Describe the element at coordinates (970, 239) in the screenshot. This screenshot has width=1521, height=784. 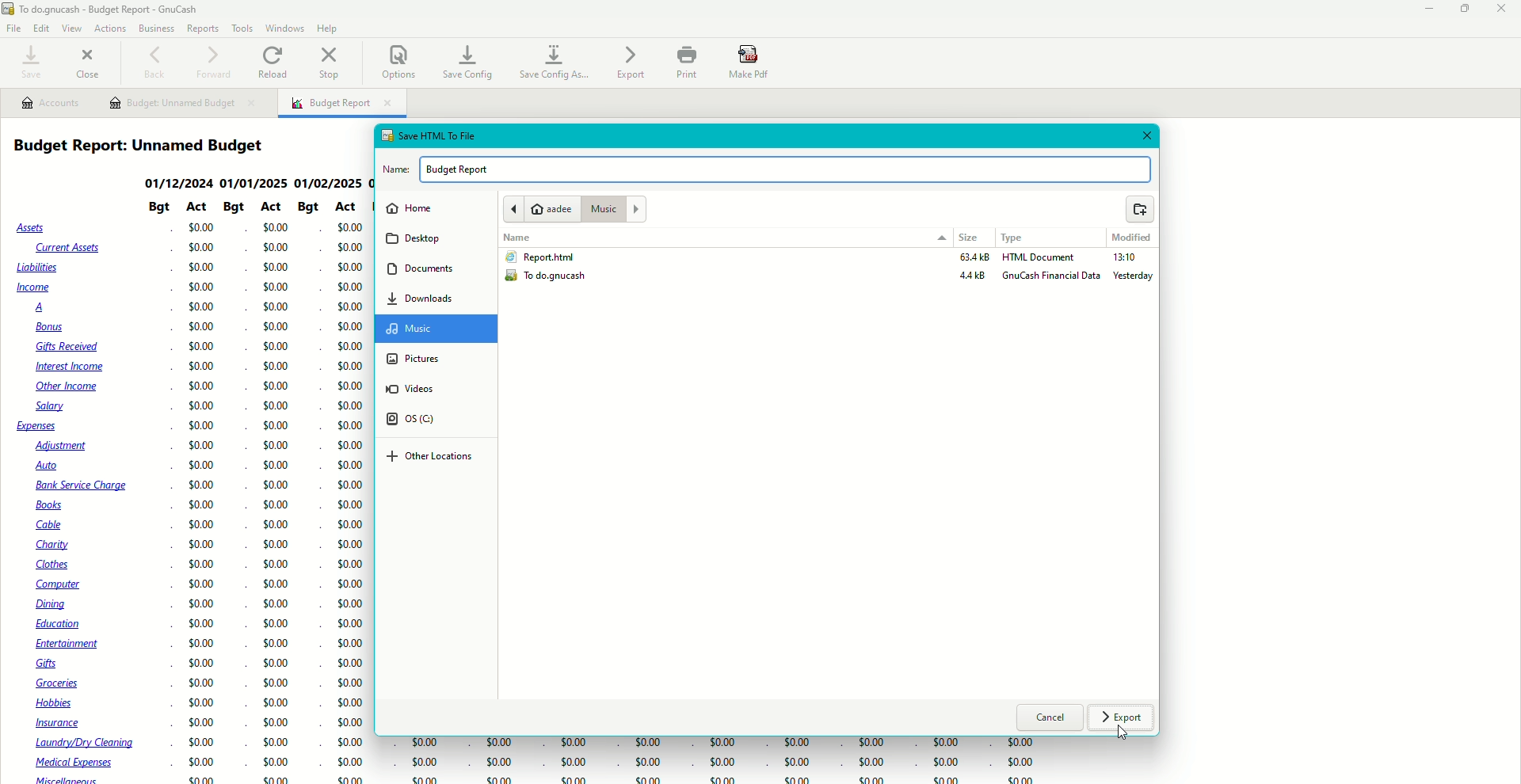
I see `Size` at that location.